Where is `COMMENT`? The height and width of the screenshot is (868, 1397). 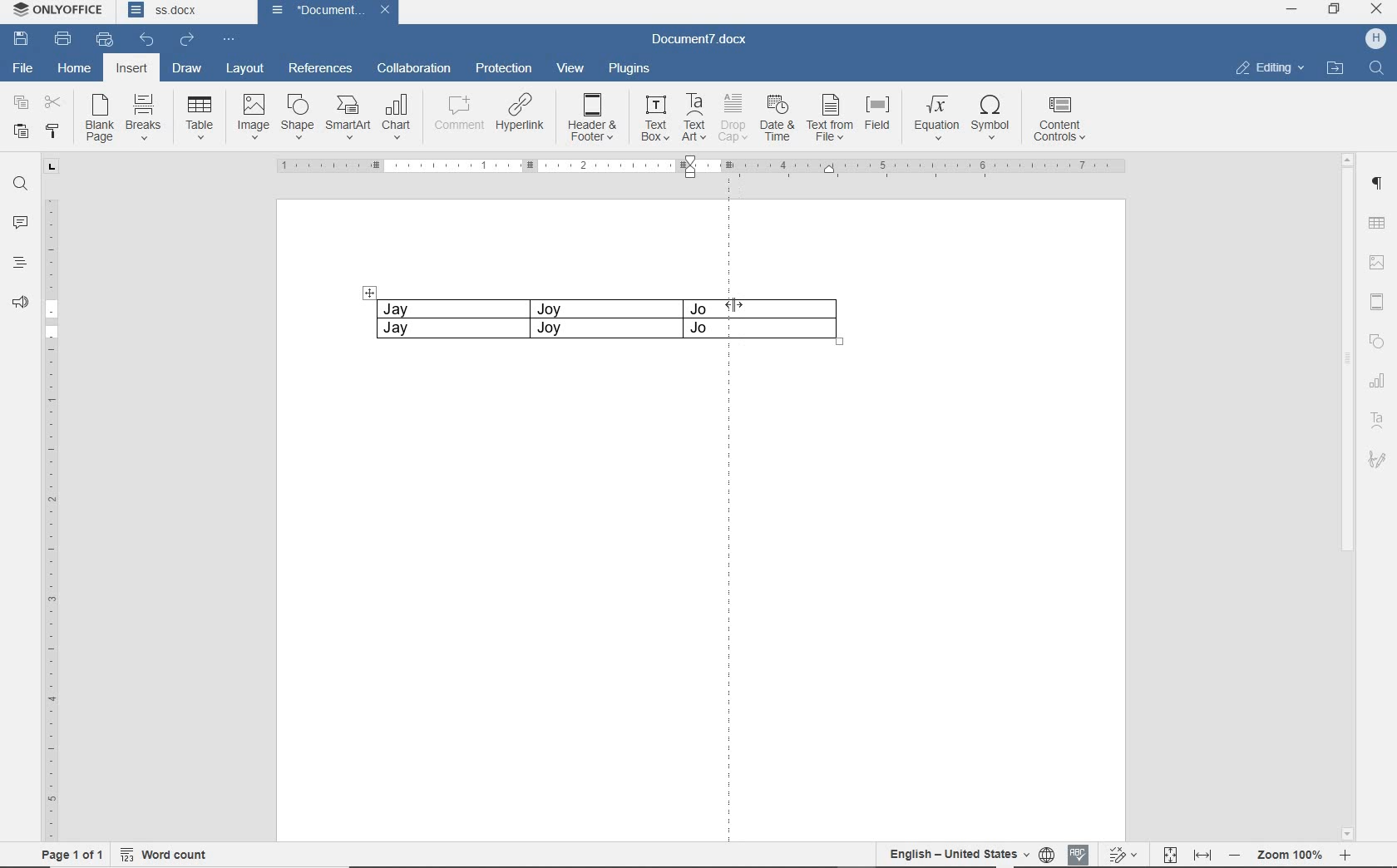
COMMENT is located at coordinates (455, 116).